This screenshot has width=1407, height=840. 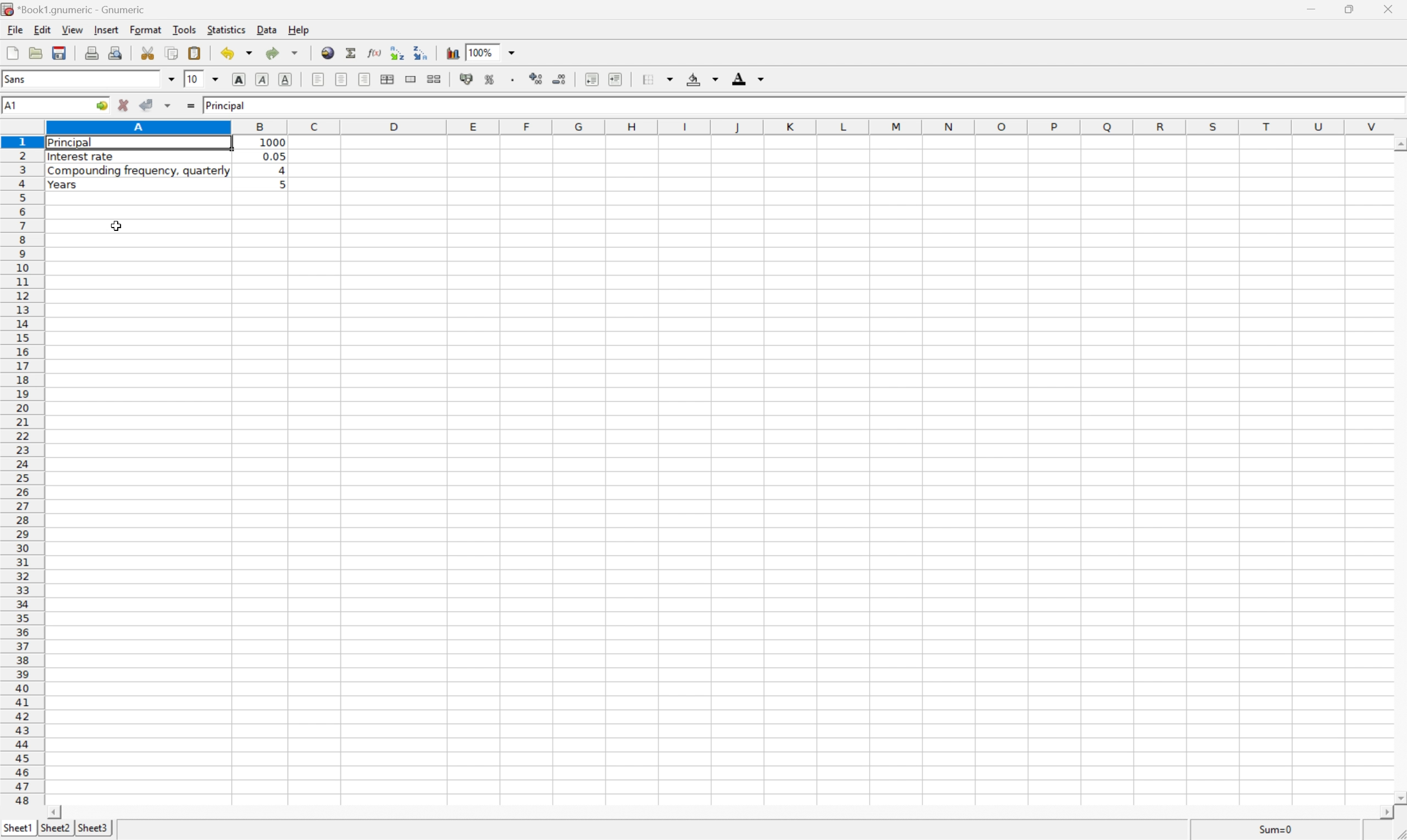 What do you see at coordinates (280, 183) in the screenshot?
I see `5` at bounding box center [280, 183].